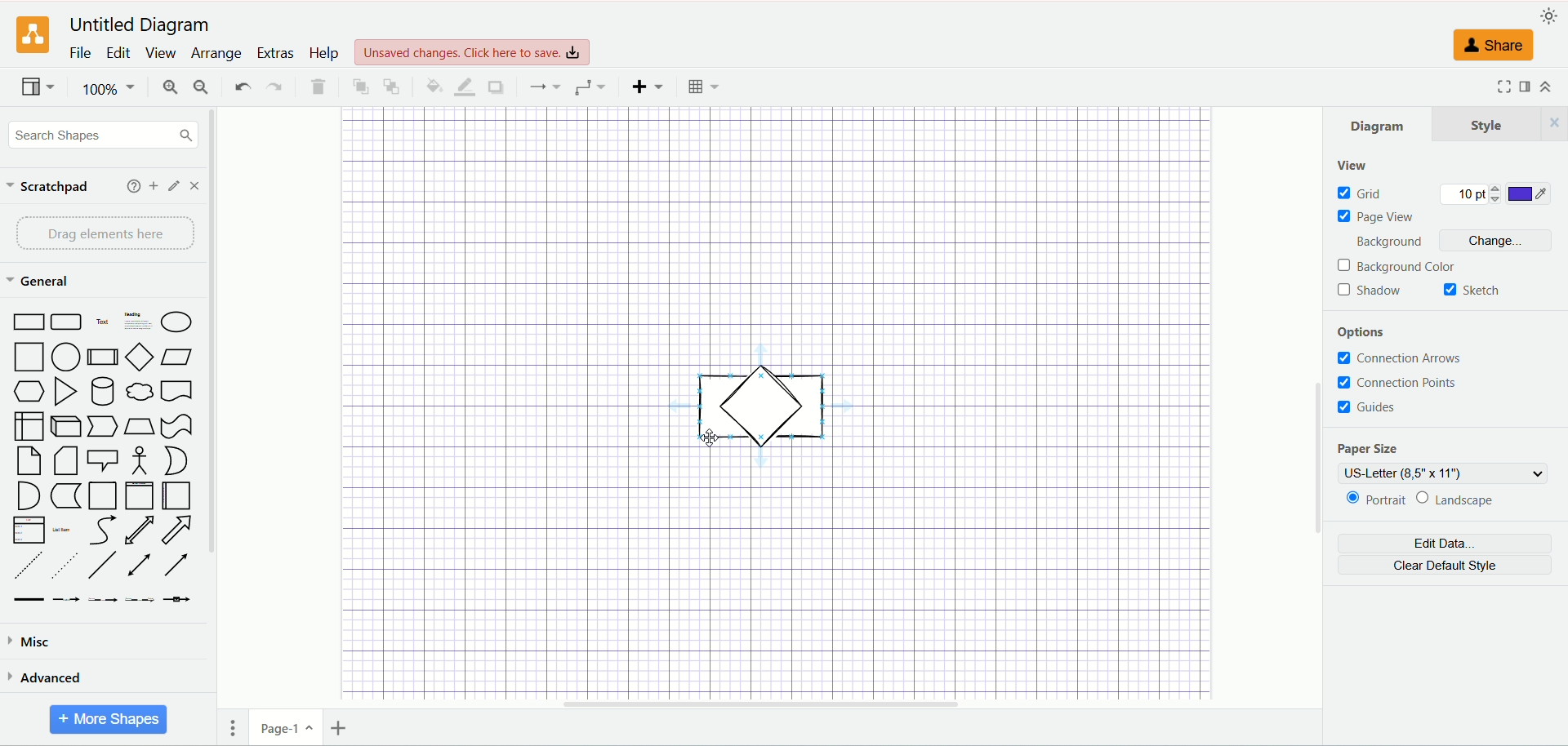 Image resolution: width=1568 pixels, height=746 pixels. What do you see at coordinates (497, 87) in the screenshot?
I see `shadow` at bounding box center [497, 87].